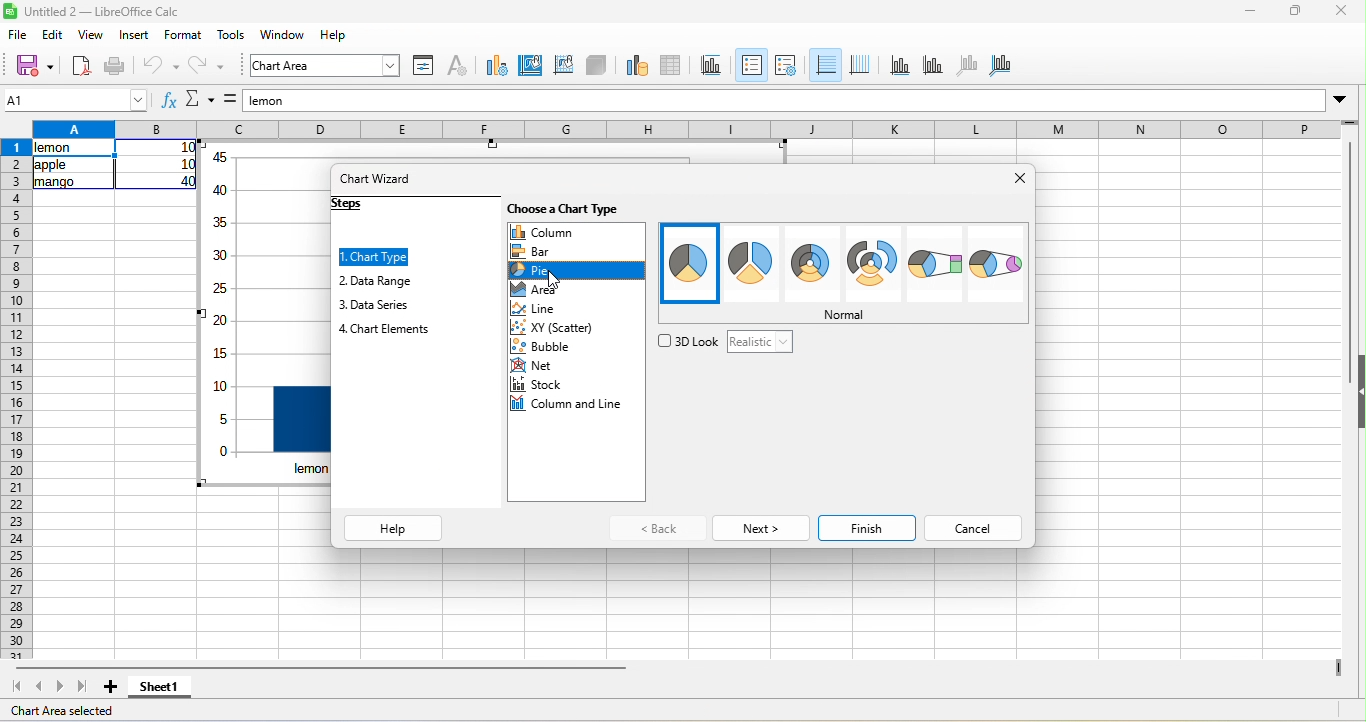 The image size is (1366, 722). What do you see at coordinates (376, 307) in the screenshot?
I see `data series` at bounding box center [376, 307].